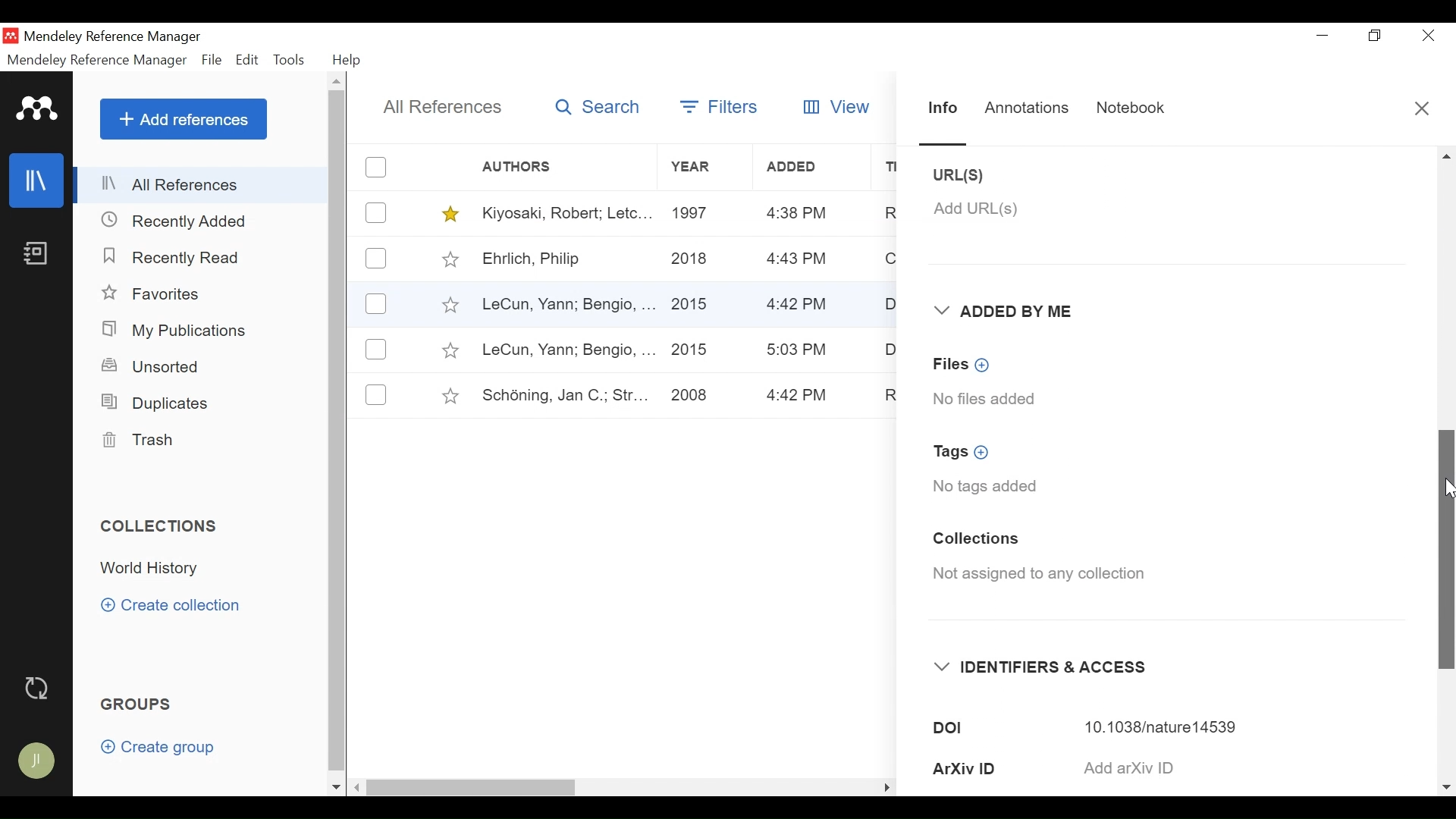  Describe the element at coordinates (704, 168) in the screenshot. I see `Year` at that location.